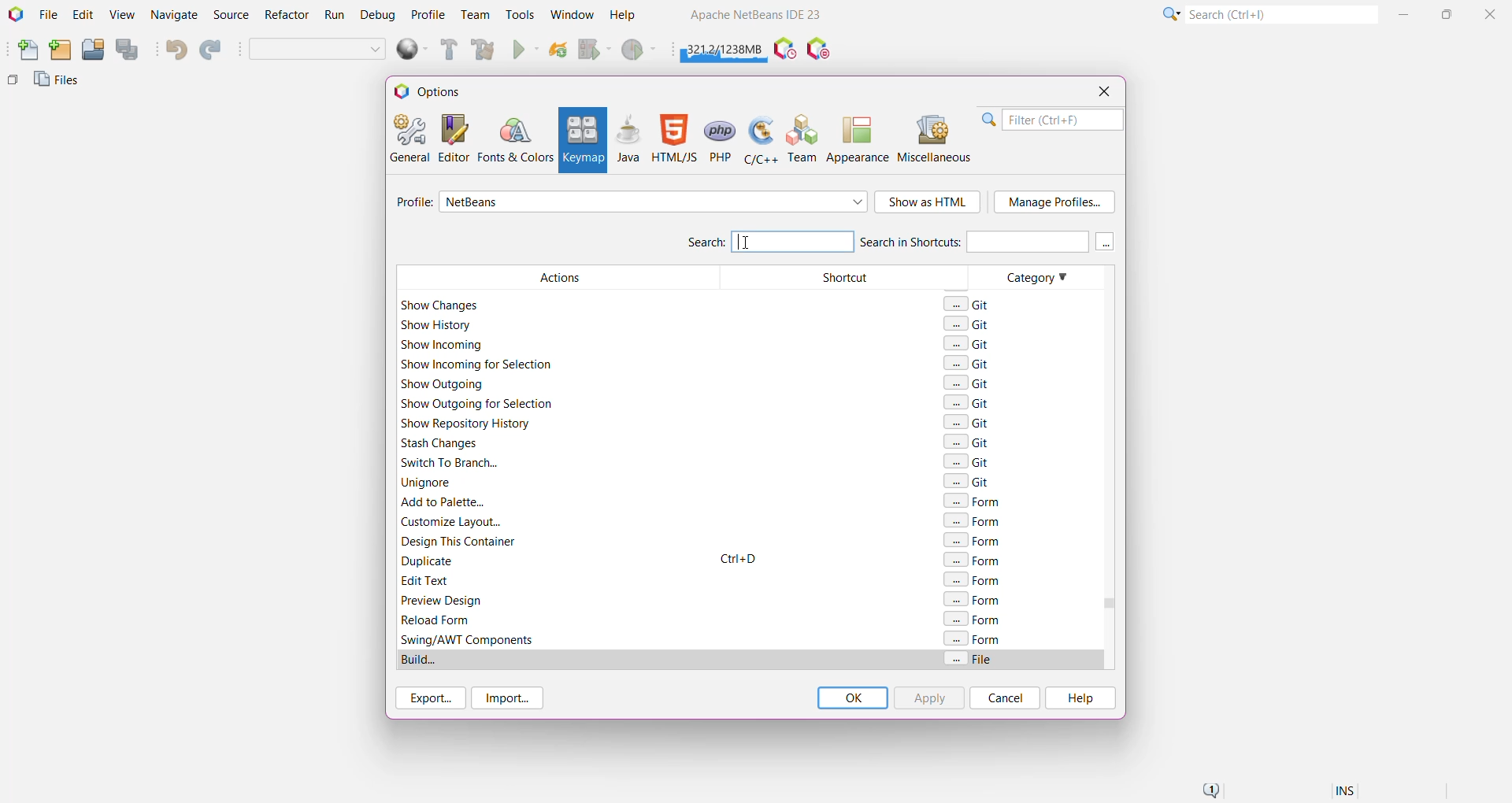  I want to click on Clean and Build Main Project, so click(486, 51).